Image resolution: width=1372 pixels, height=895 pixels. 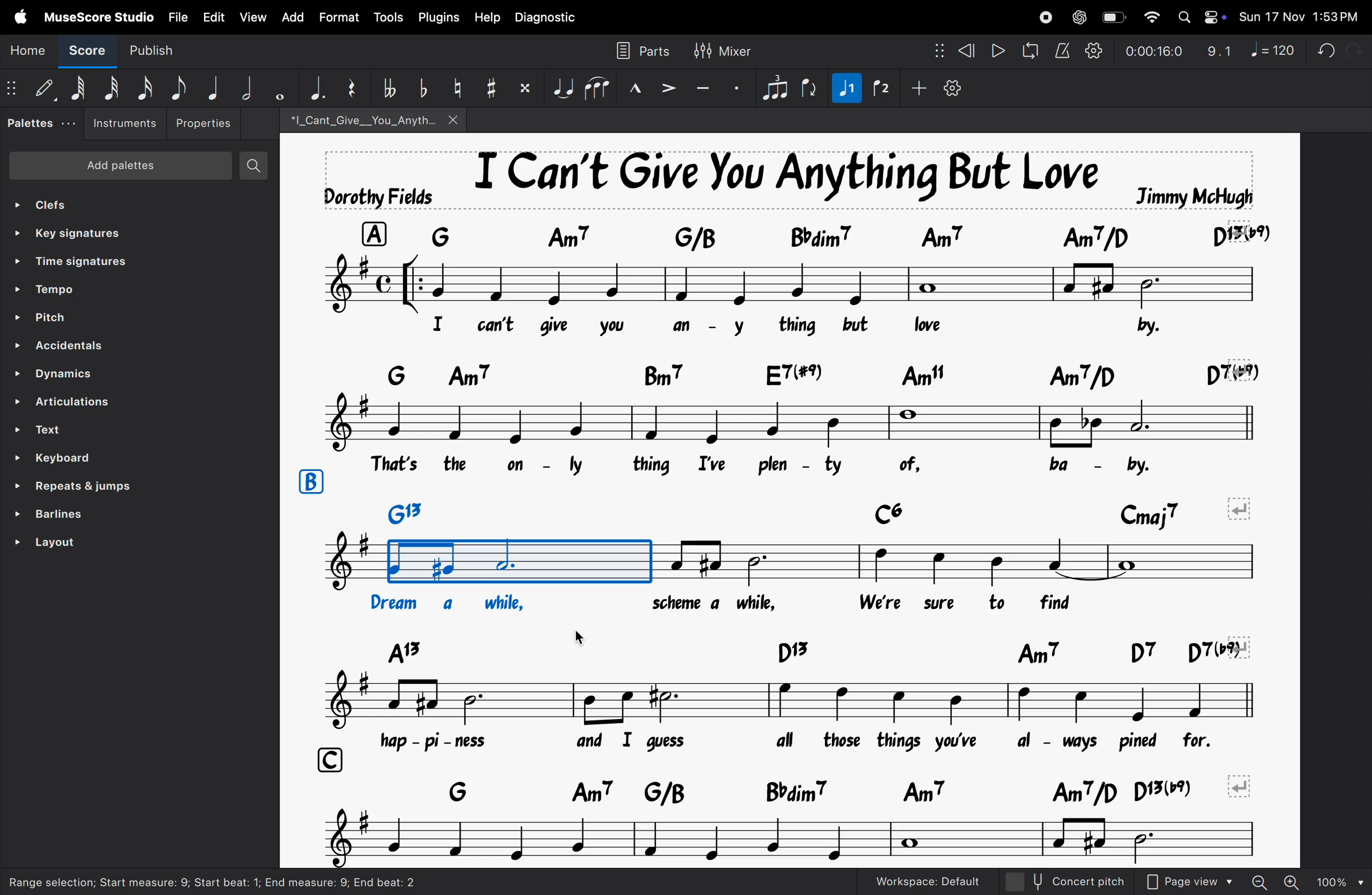 What do you see at coordinates (177, 17) in the screenshot?
I see `file` at bounding box center [177, 17].